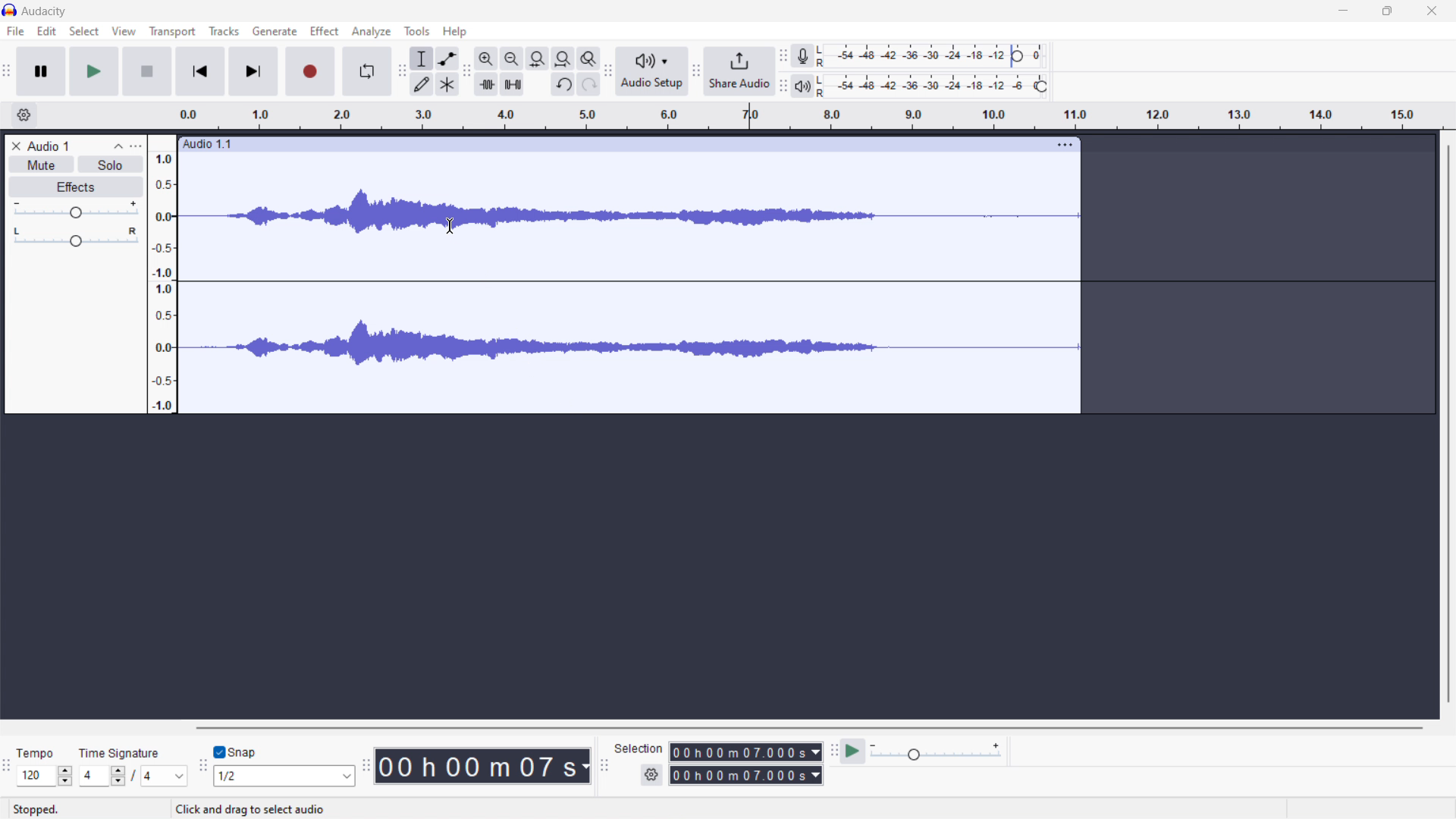 The width and height of the screenshot is (1456, 819). I want to click on recording level, so click(934, 57).